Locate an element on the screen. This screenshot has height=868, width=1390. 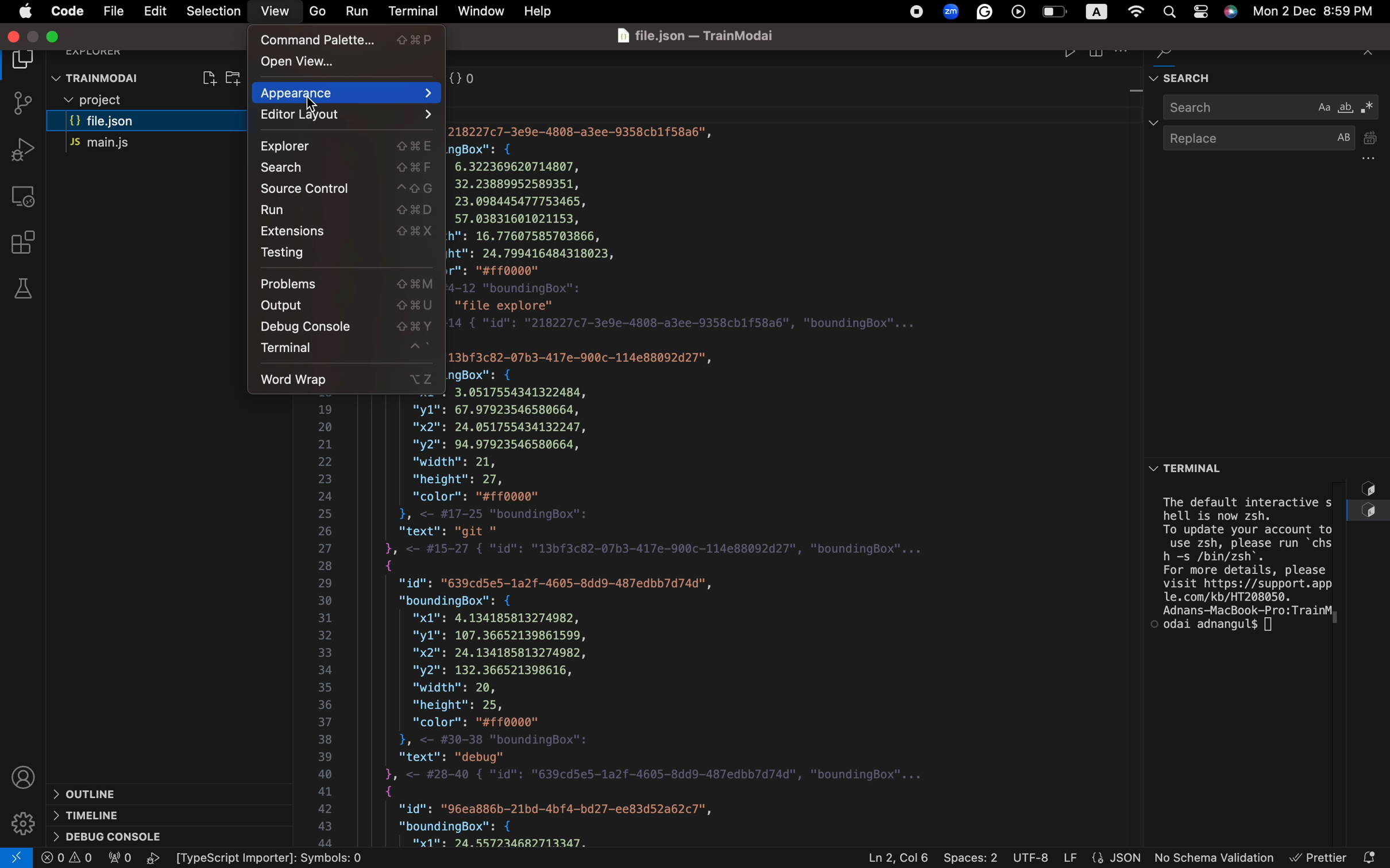
Extension  is located at coordinates (346, 231).